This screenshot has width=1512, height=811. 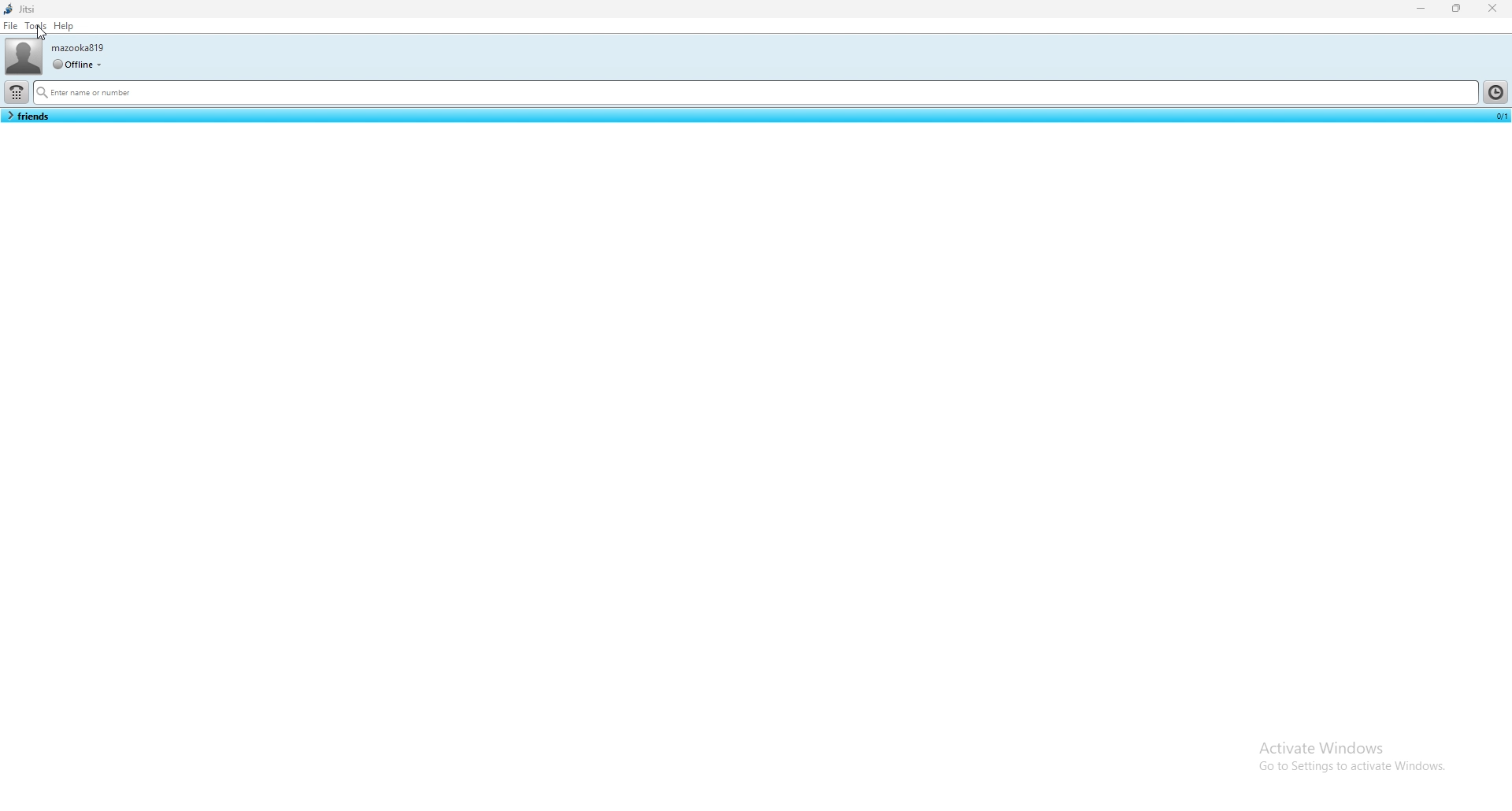 What do you see at coordinates (1422, 8) in the screenshot?
I see `minimize` at bounding box center [1422, 8].